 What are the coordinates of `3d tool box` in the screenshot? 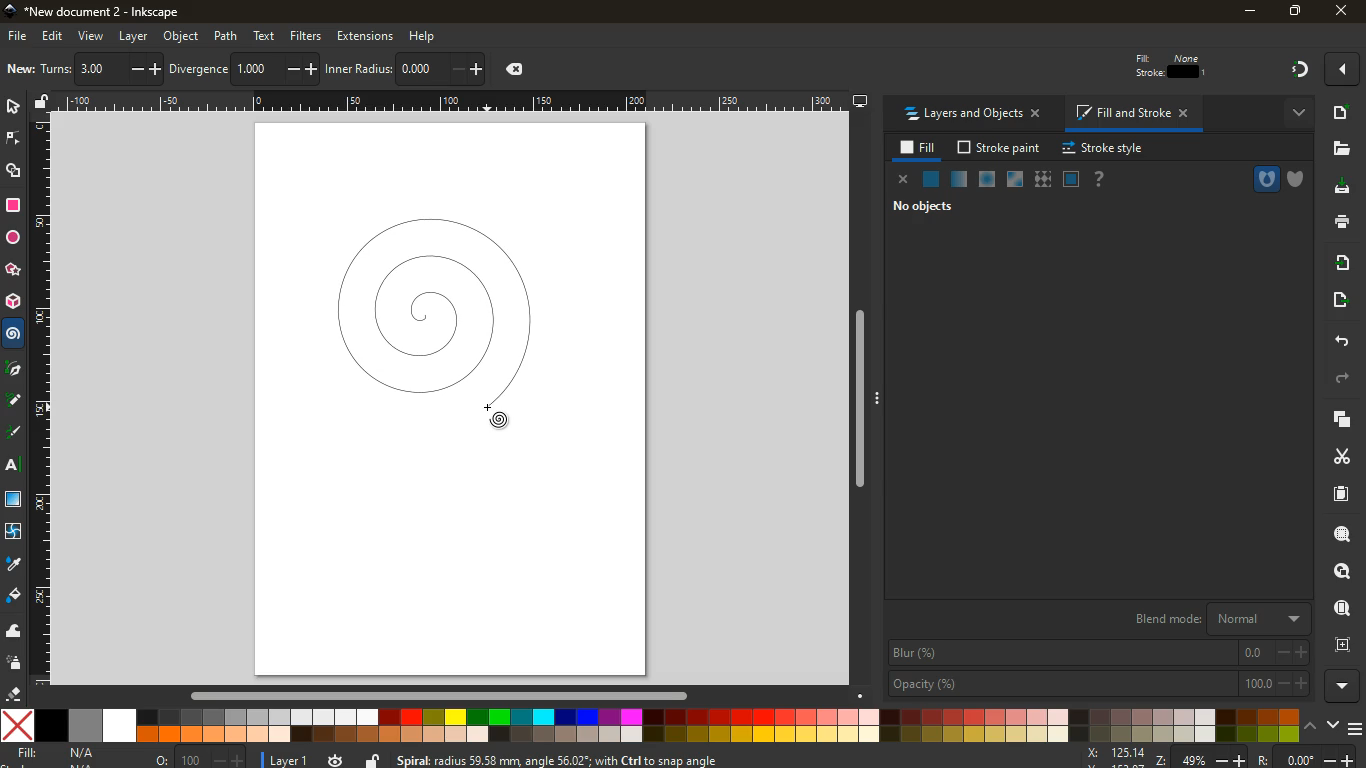 It's located at (13, 301).